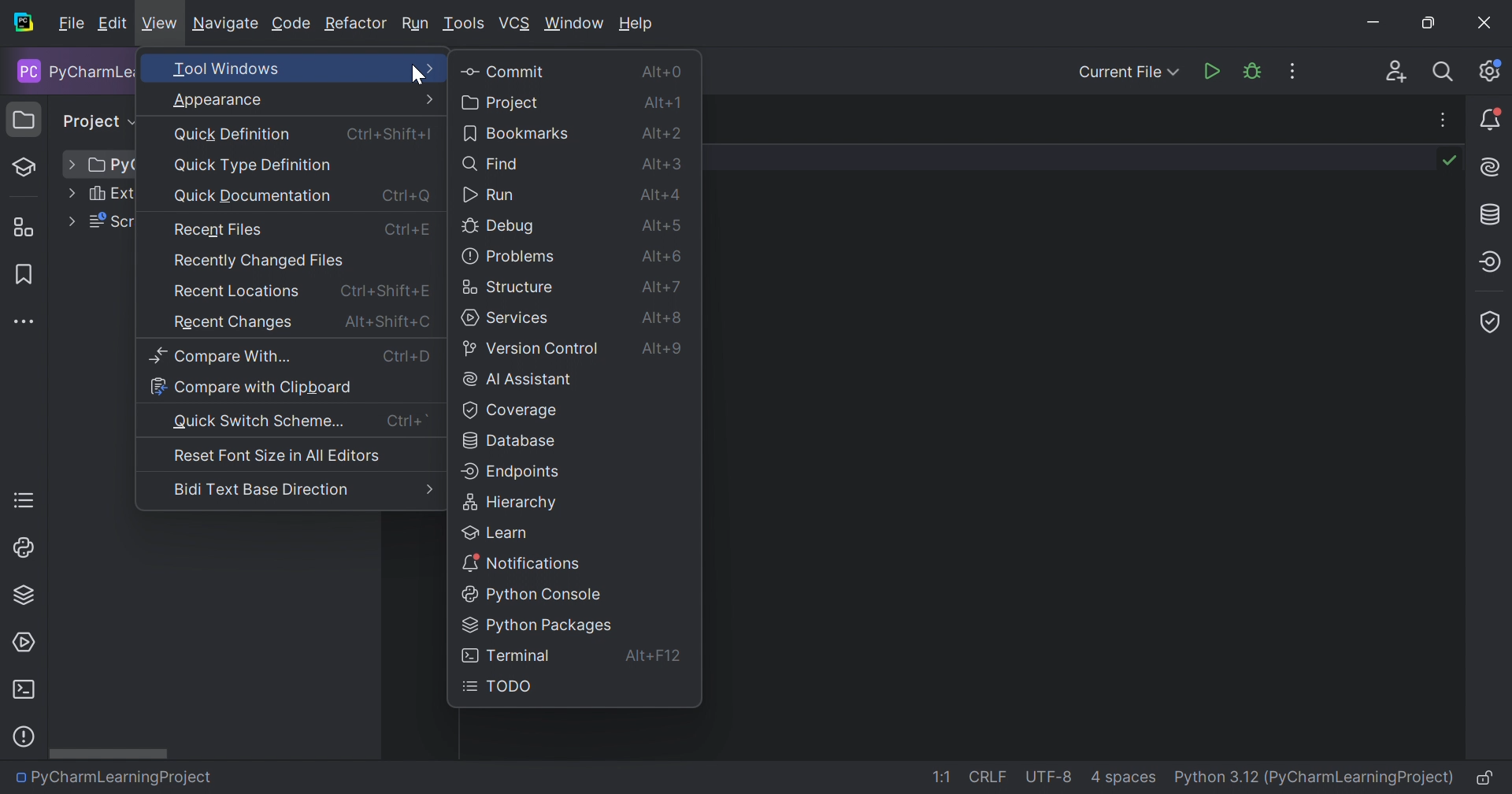 Image resolution: width=1512 pixels, height=794 pixels. What do you see at coordinates (661, 284) in the screenshot?
I see `Alt+7` at bounding box center [661, 284].